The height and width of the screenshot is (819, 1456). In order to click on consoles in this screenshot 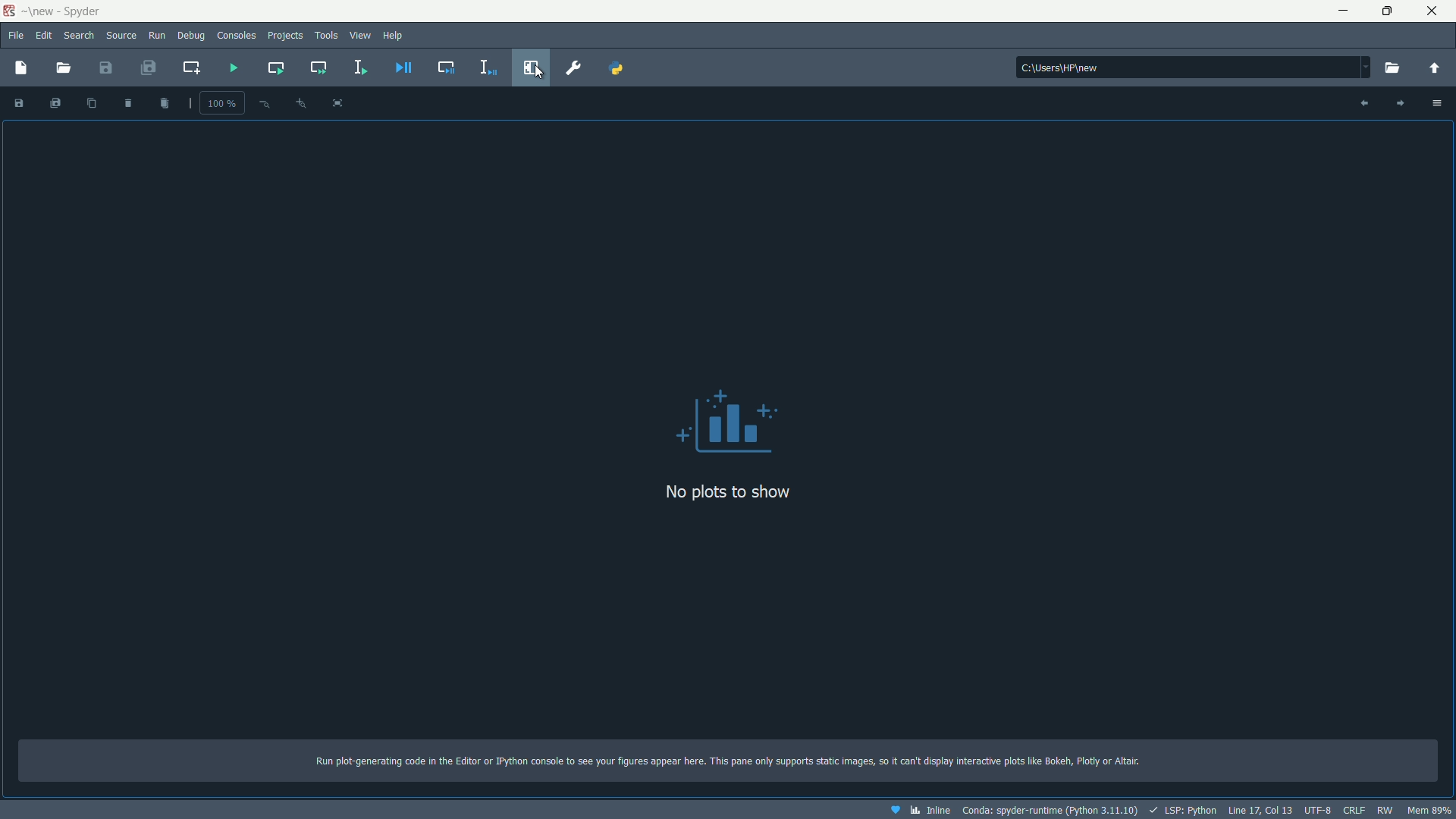, I will do `click(237, 35)`.